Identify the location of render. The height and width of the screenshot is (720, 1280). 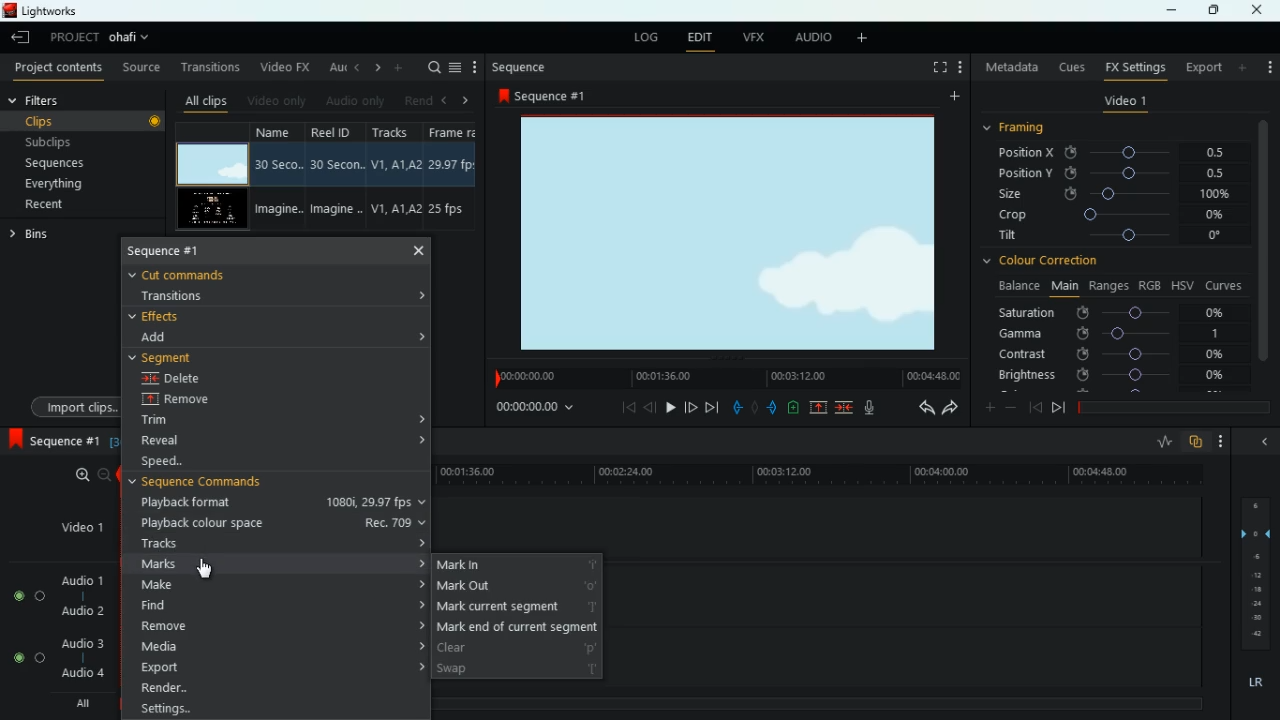
(280, 688).